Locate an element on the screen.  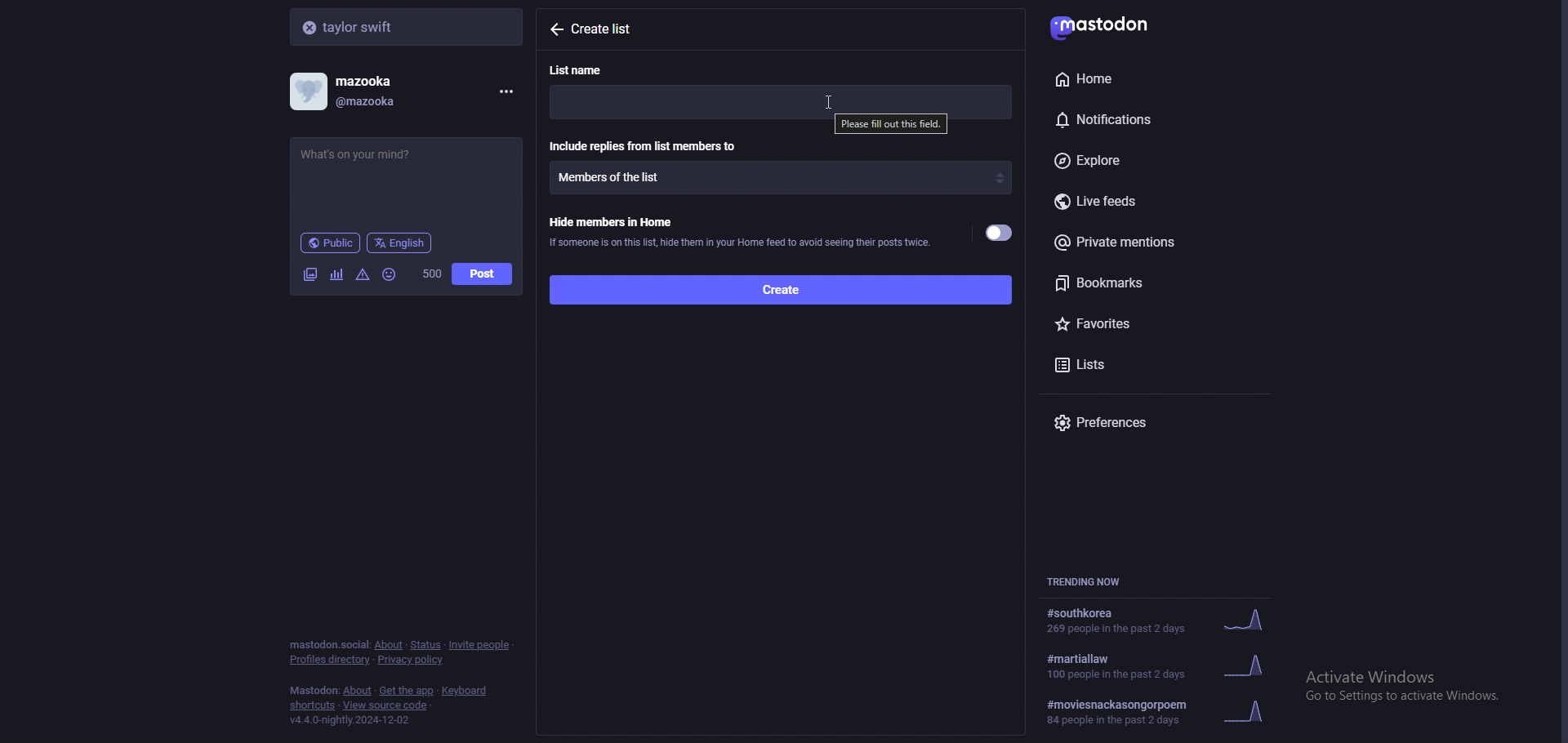
trending is located at coordinates (1157, 621).